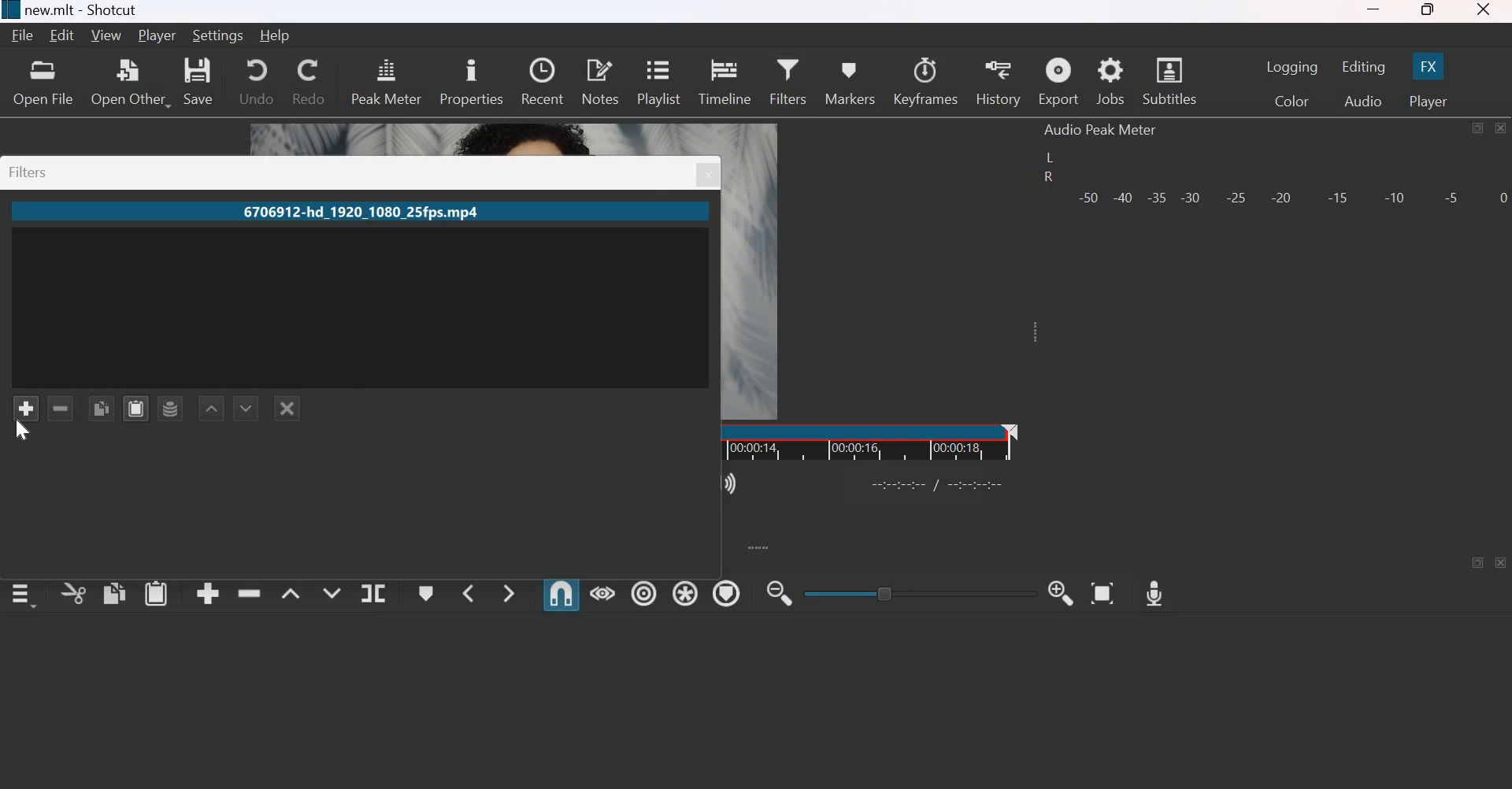  I want to click on , so click(708, 176).